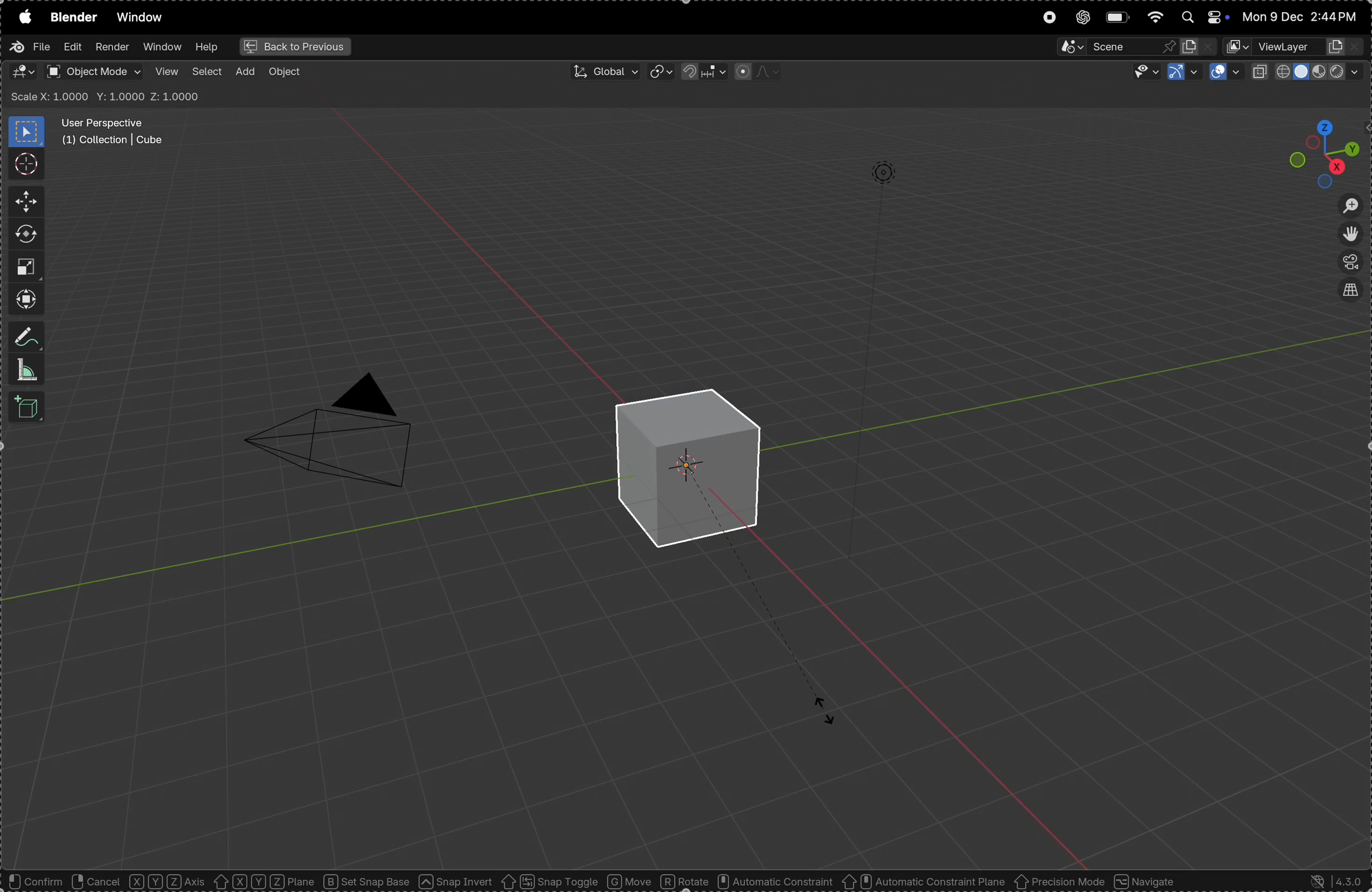  What do you see at coordinates (1307, 71) in the screenshot?
I see `view port shading` at bounding box center [1307, 71].